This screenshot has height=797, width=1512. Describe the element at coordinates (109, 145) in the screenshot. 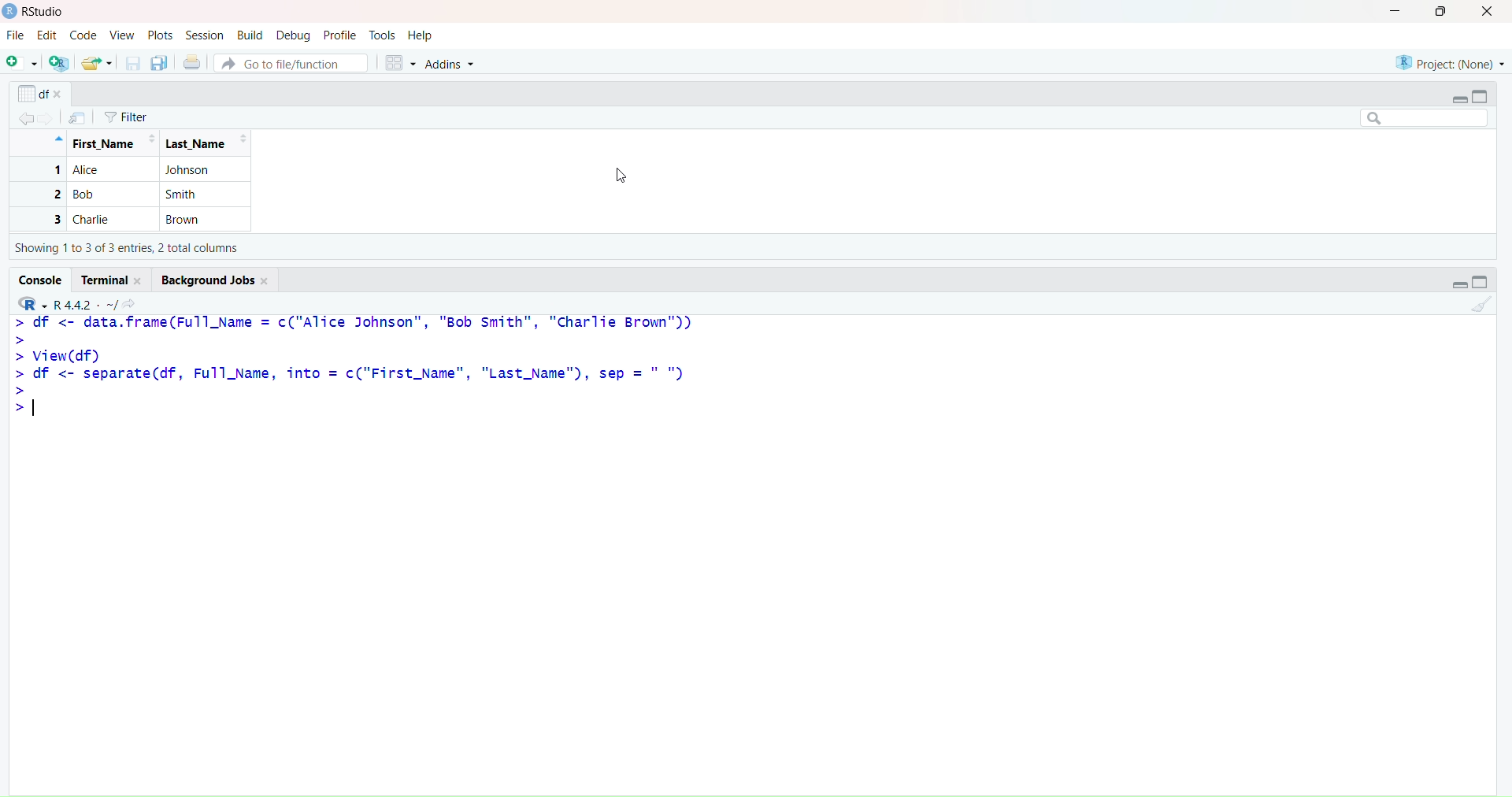

I see `Full Name` at that location.